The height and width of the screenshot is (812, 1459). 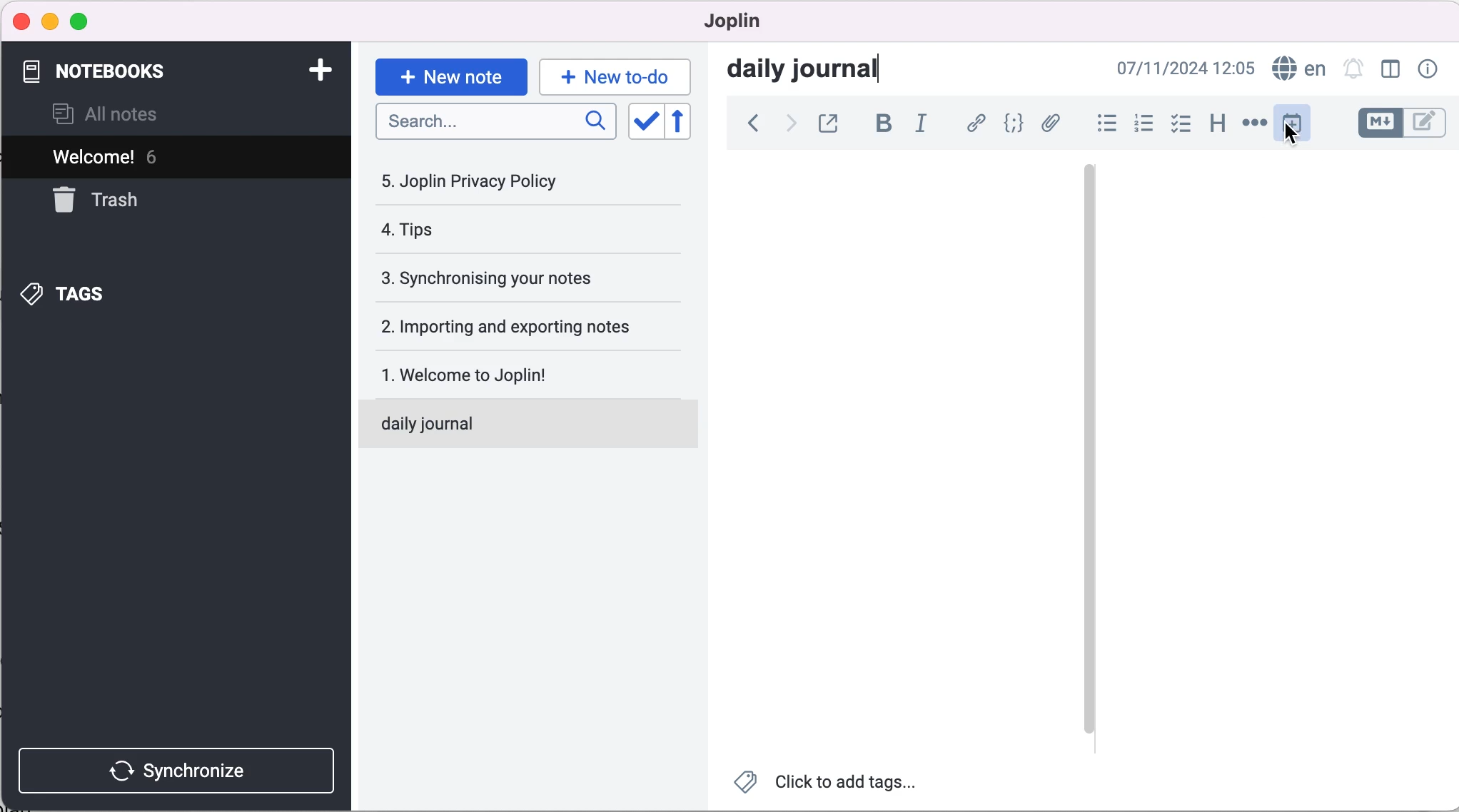 What do you see at coordinates (1139, 123) in the screenshot?
I see `numbered list` at bounding box center [1139, 123].